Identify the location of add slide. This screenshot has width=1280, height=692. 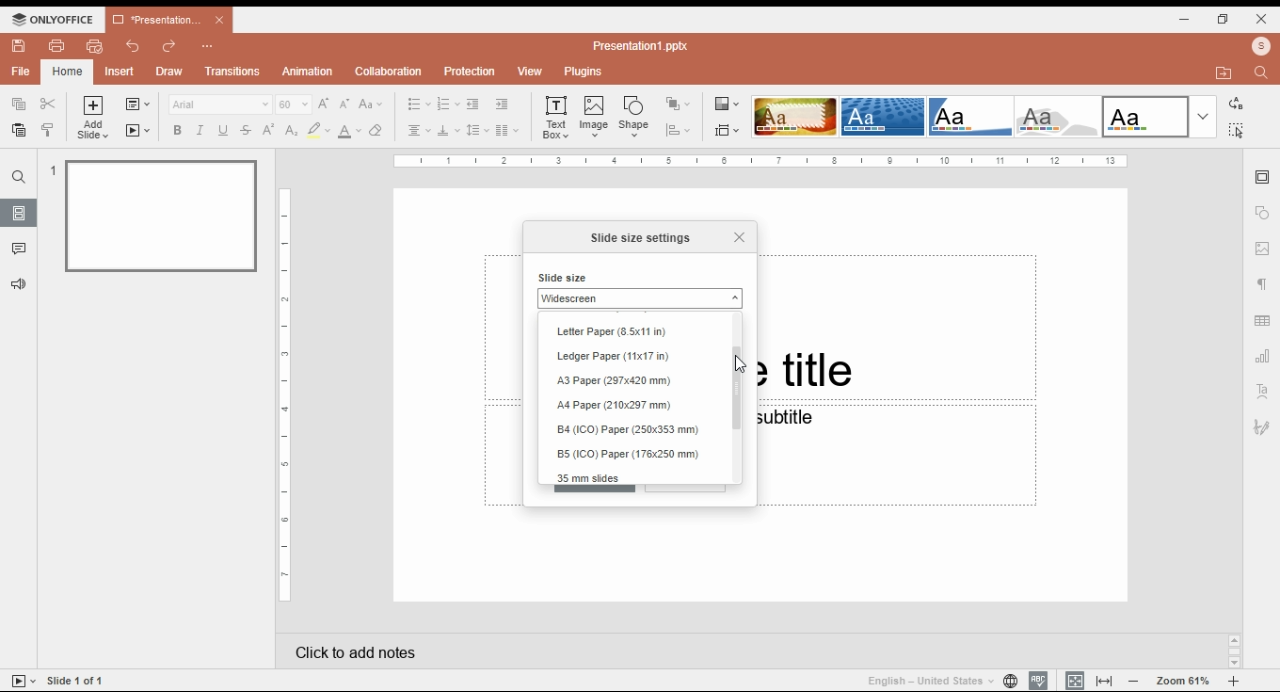
(95, 118).